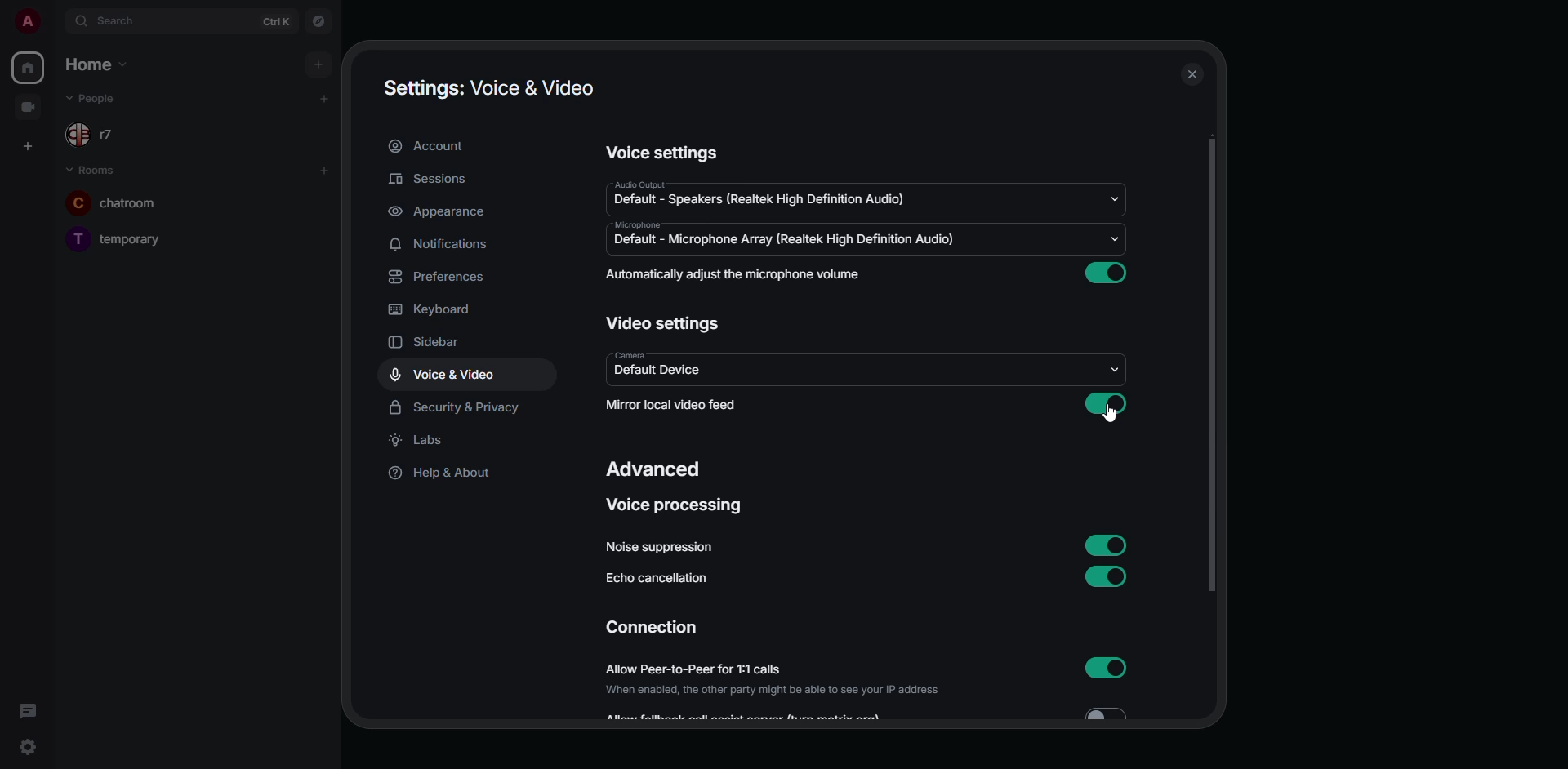  Describe the element at coordinates (773, 692) in the screenshot. I see `‘When enabled, the other party might be able to see your IP address` at that location.